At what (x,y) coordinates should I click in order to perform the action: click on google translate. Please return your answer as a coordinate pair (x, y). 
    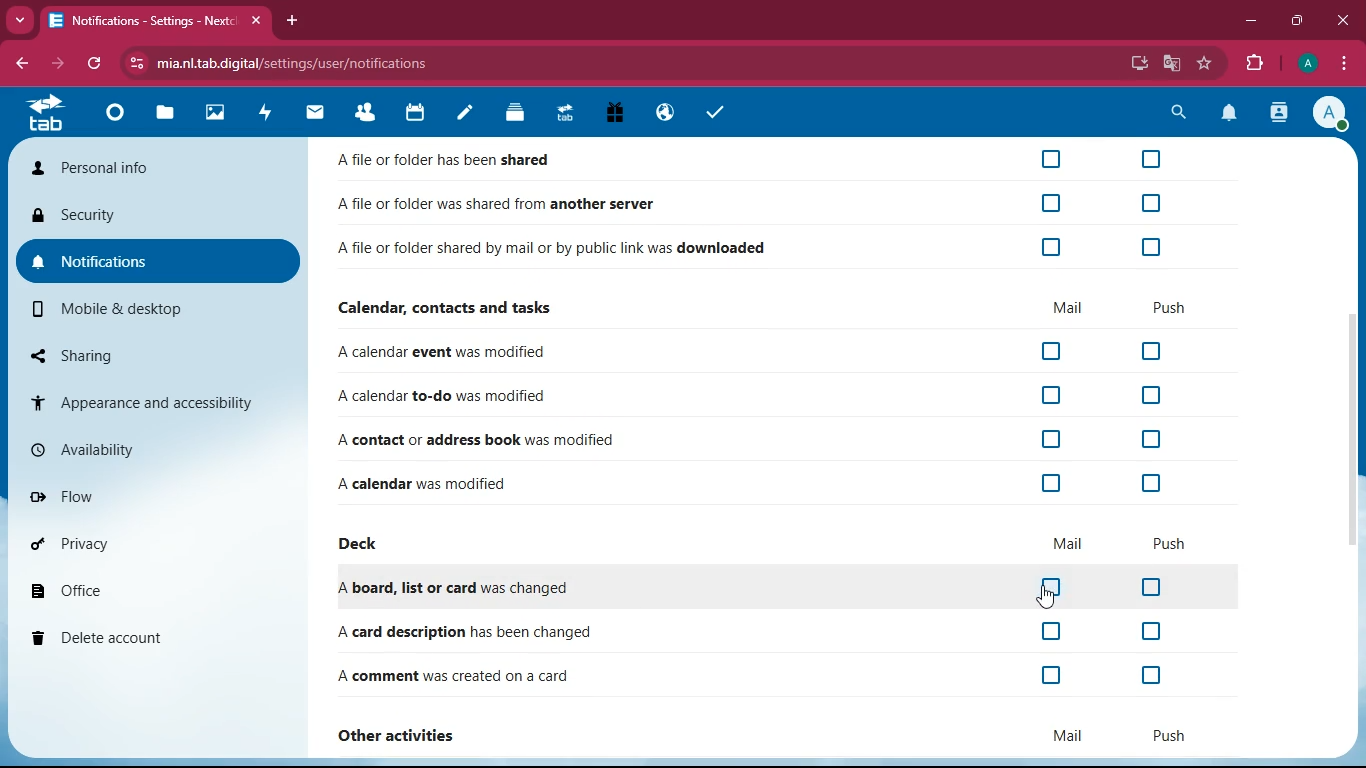
    Looking at the image, I should click on (1170, 64).